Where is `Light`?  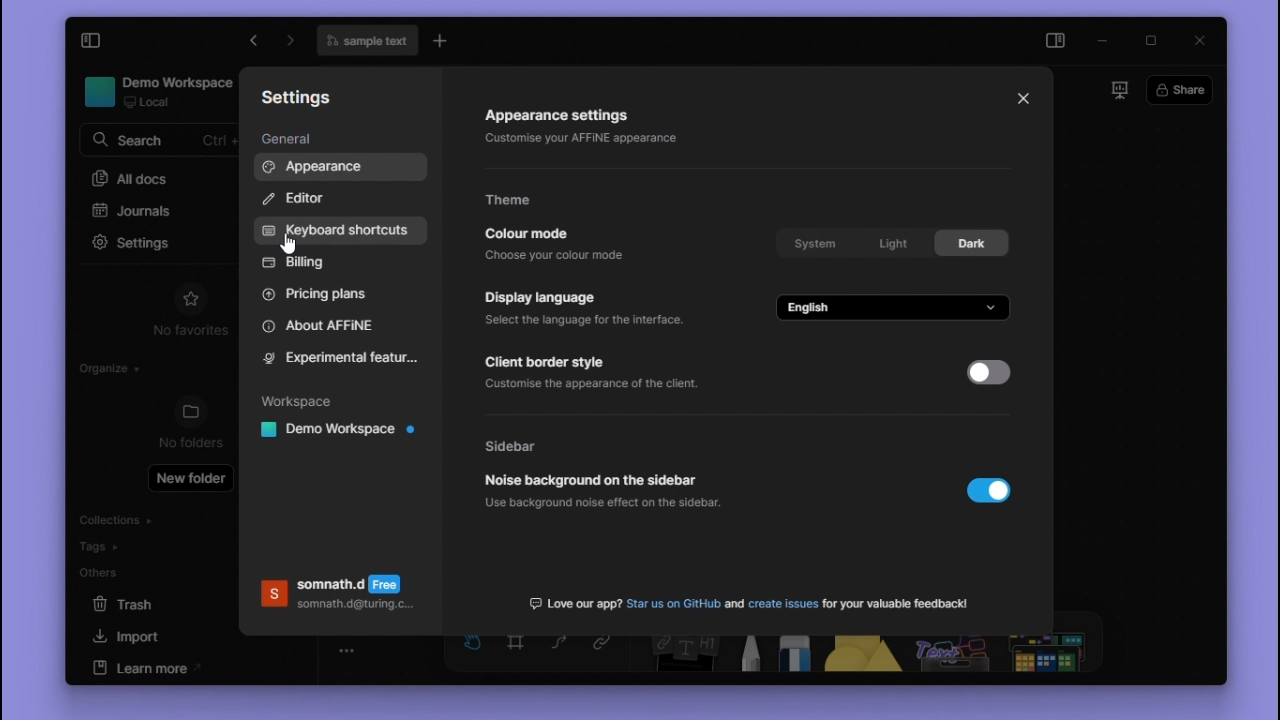 Light is located at coordinates (892, 243).